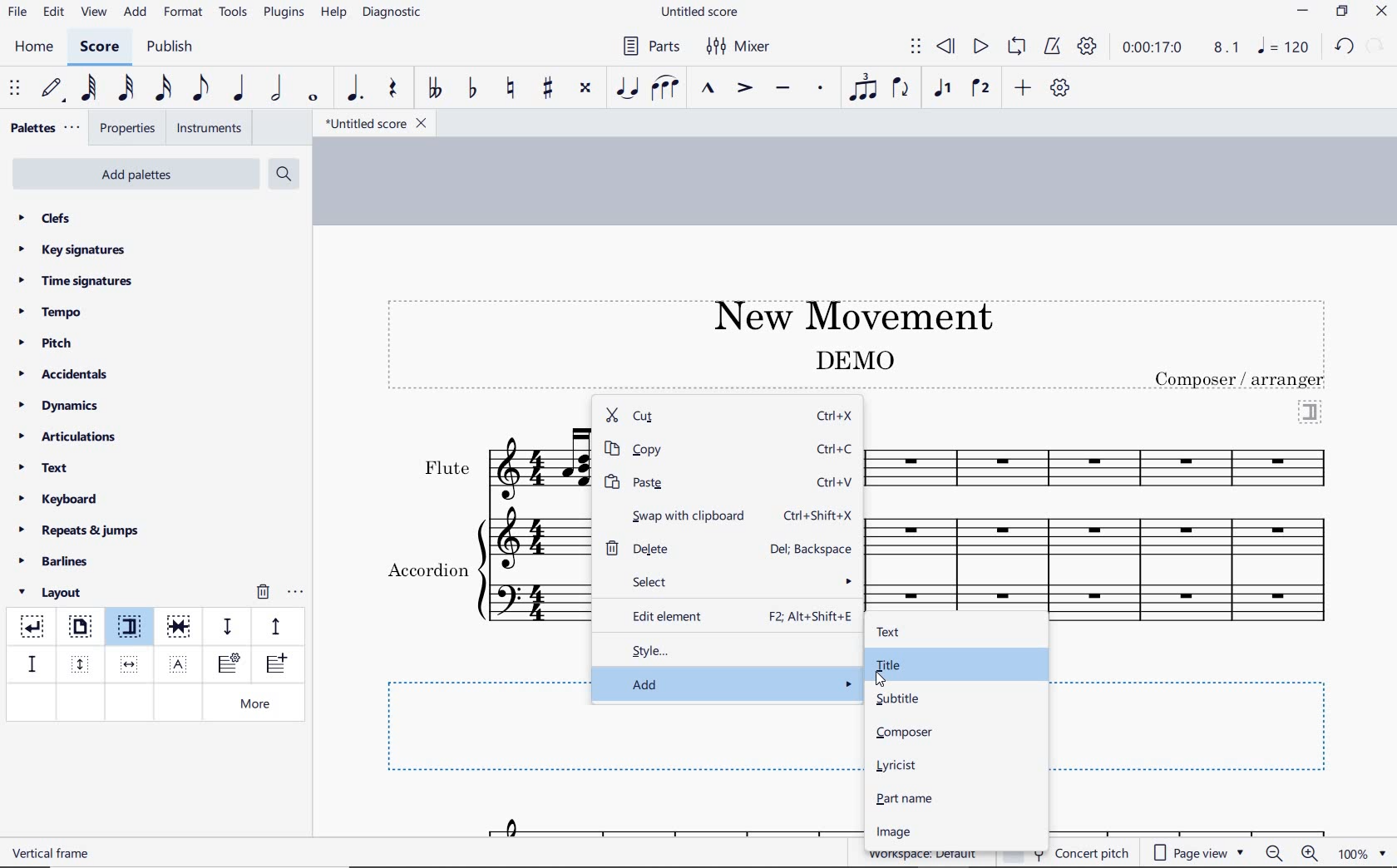  I want to click on text, so click(887, 633).